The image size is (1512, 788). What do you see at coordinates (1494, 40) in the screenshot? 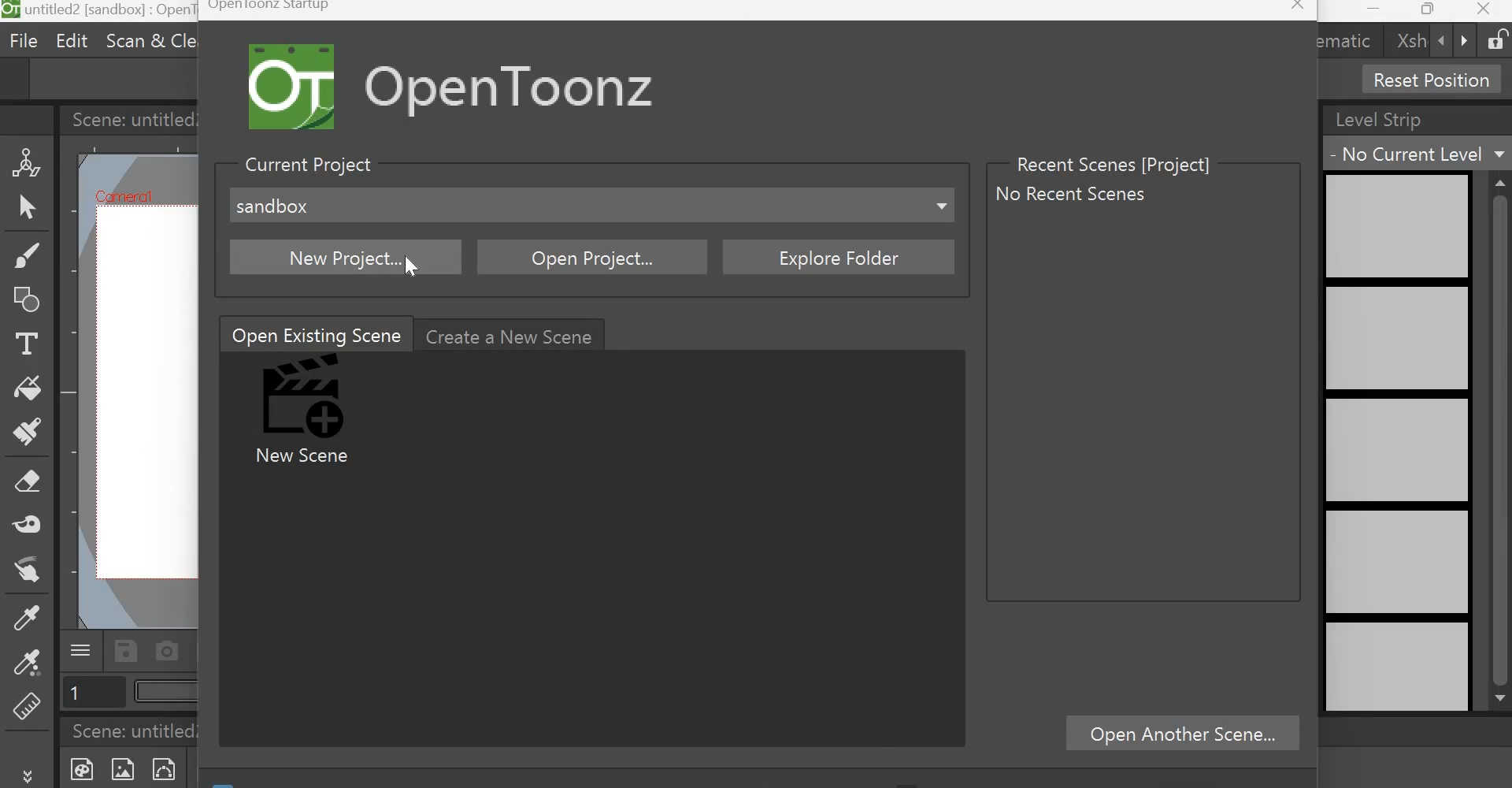
I see `Lock` at bounding box center [1494, 40].